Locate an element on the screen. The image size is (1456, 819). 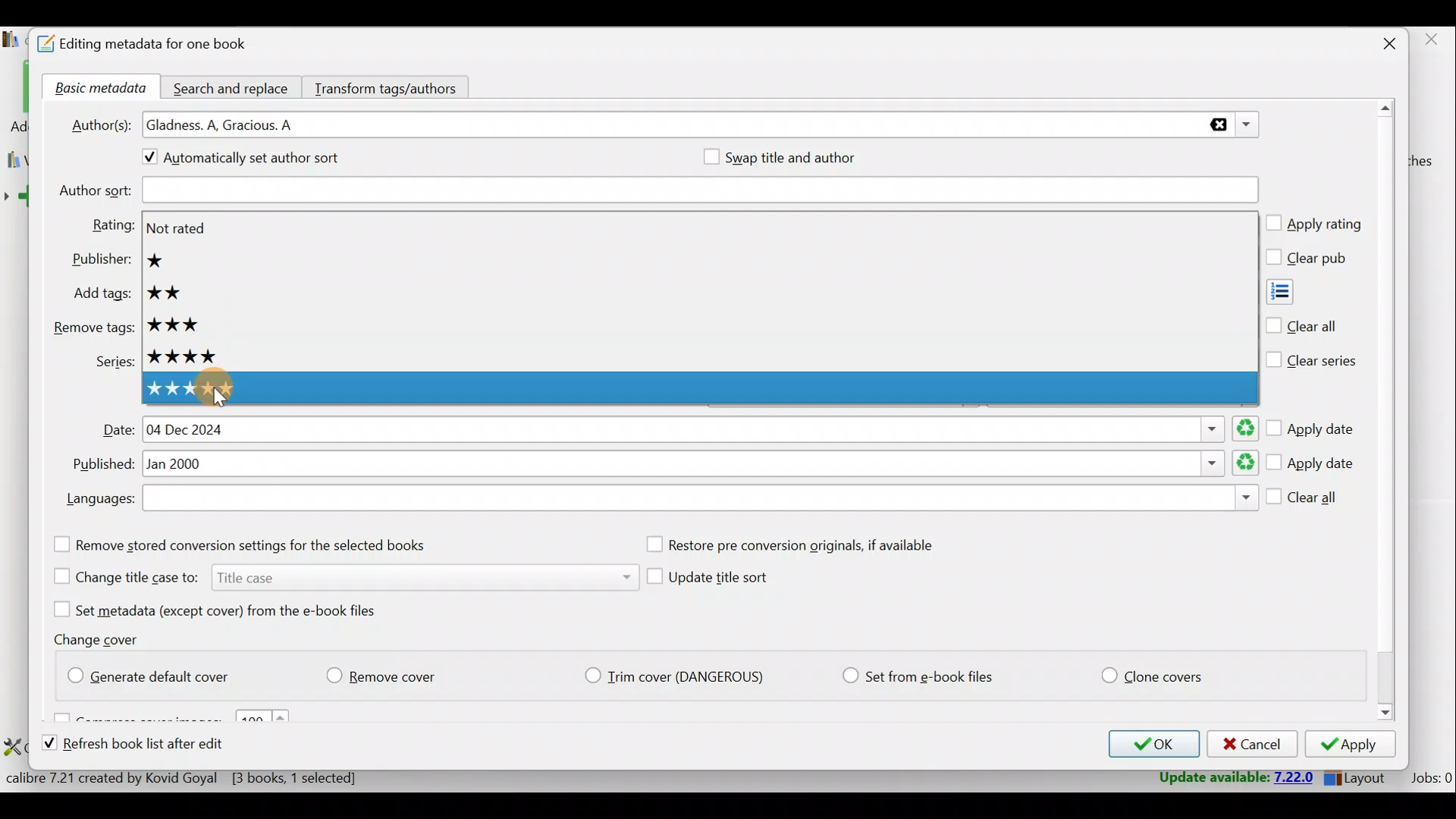
Add tags: is located at coordinates (102, 293).